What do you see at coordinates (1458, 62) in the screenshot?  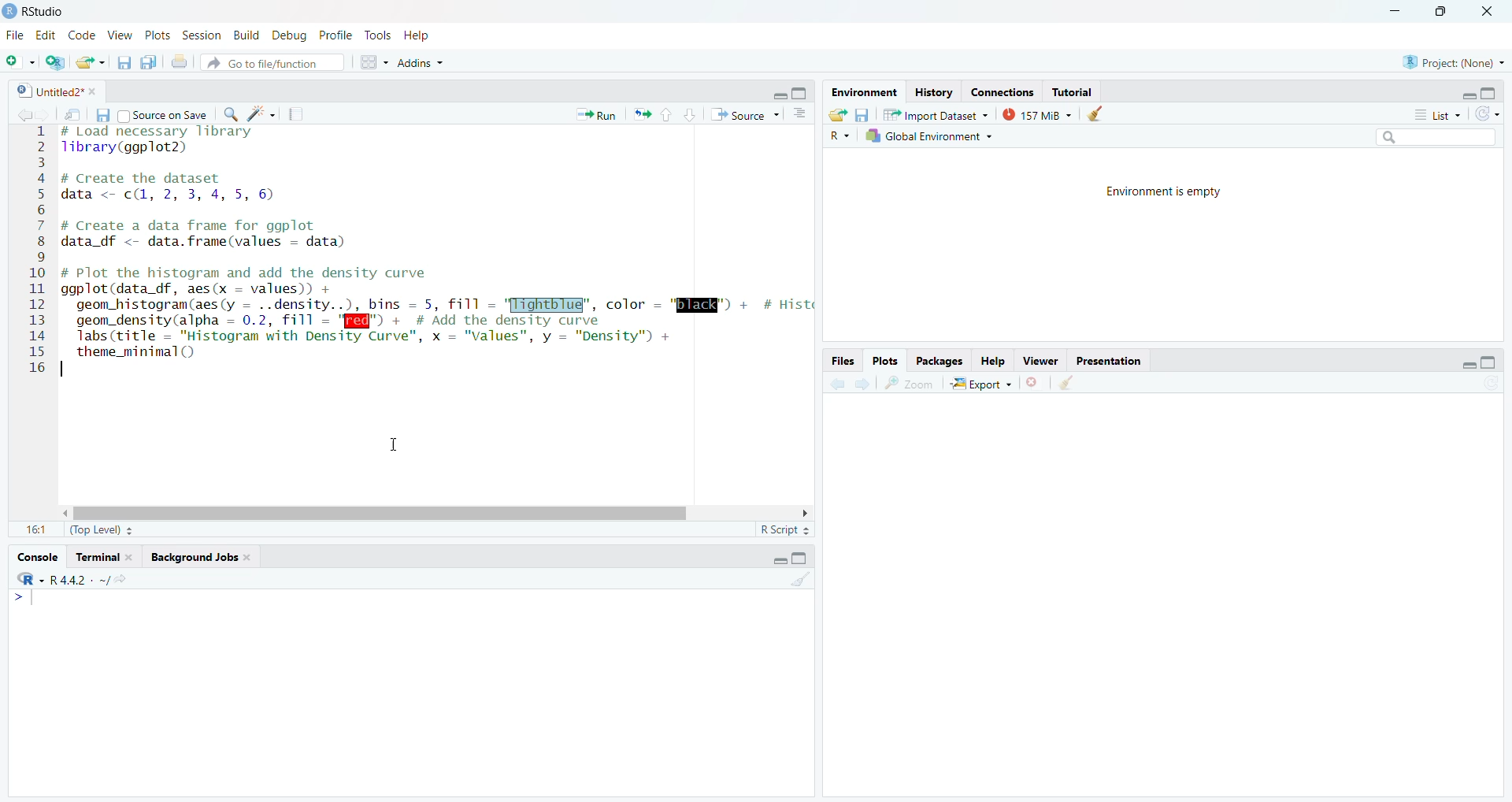 I see `Project(None)` at bounding box center [1458, 62].